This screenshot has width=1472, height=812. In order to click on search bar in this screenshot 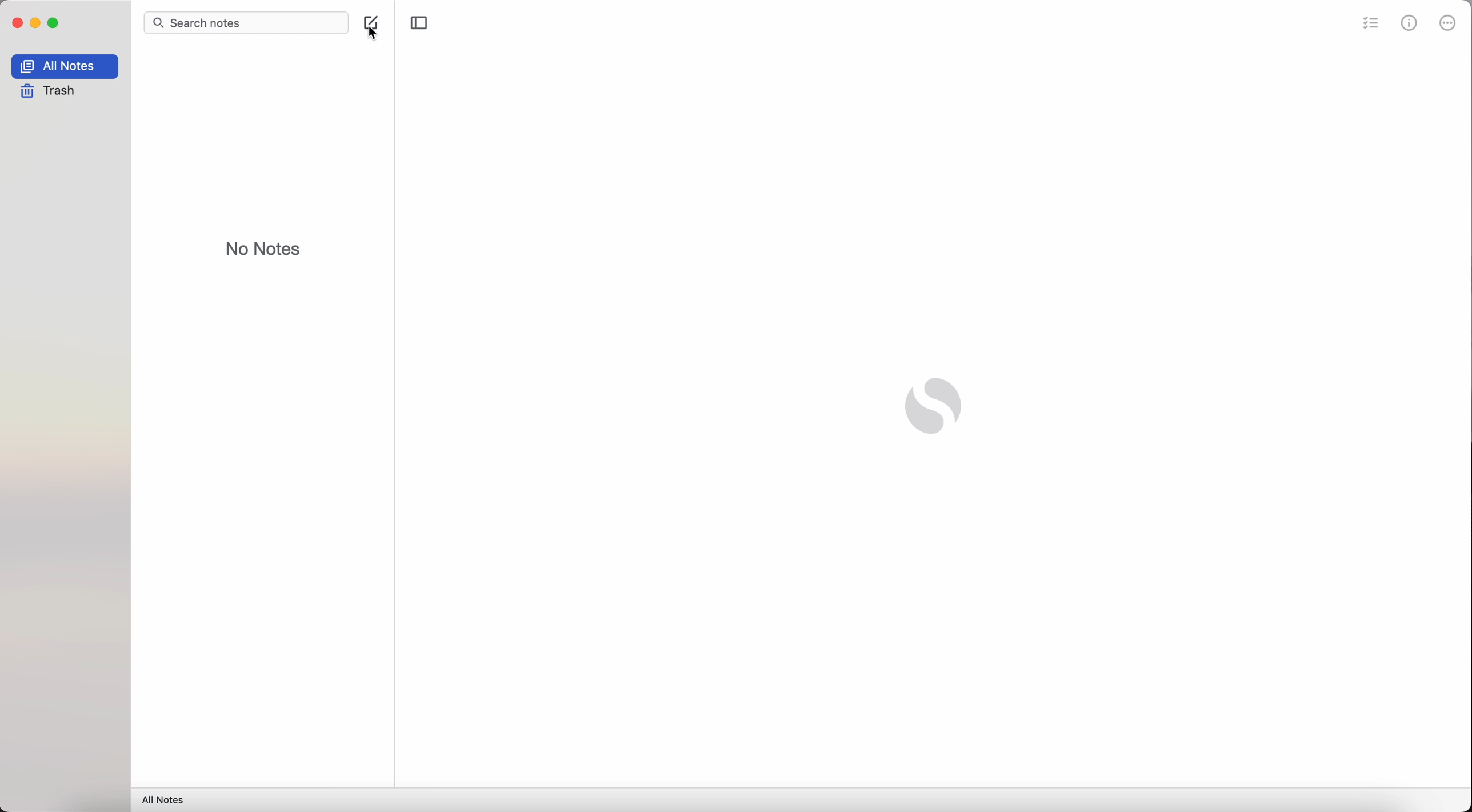, I will do `click(246, 24)`.